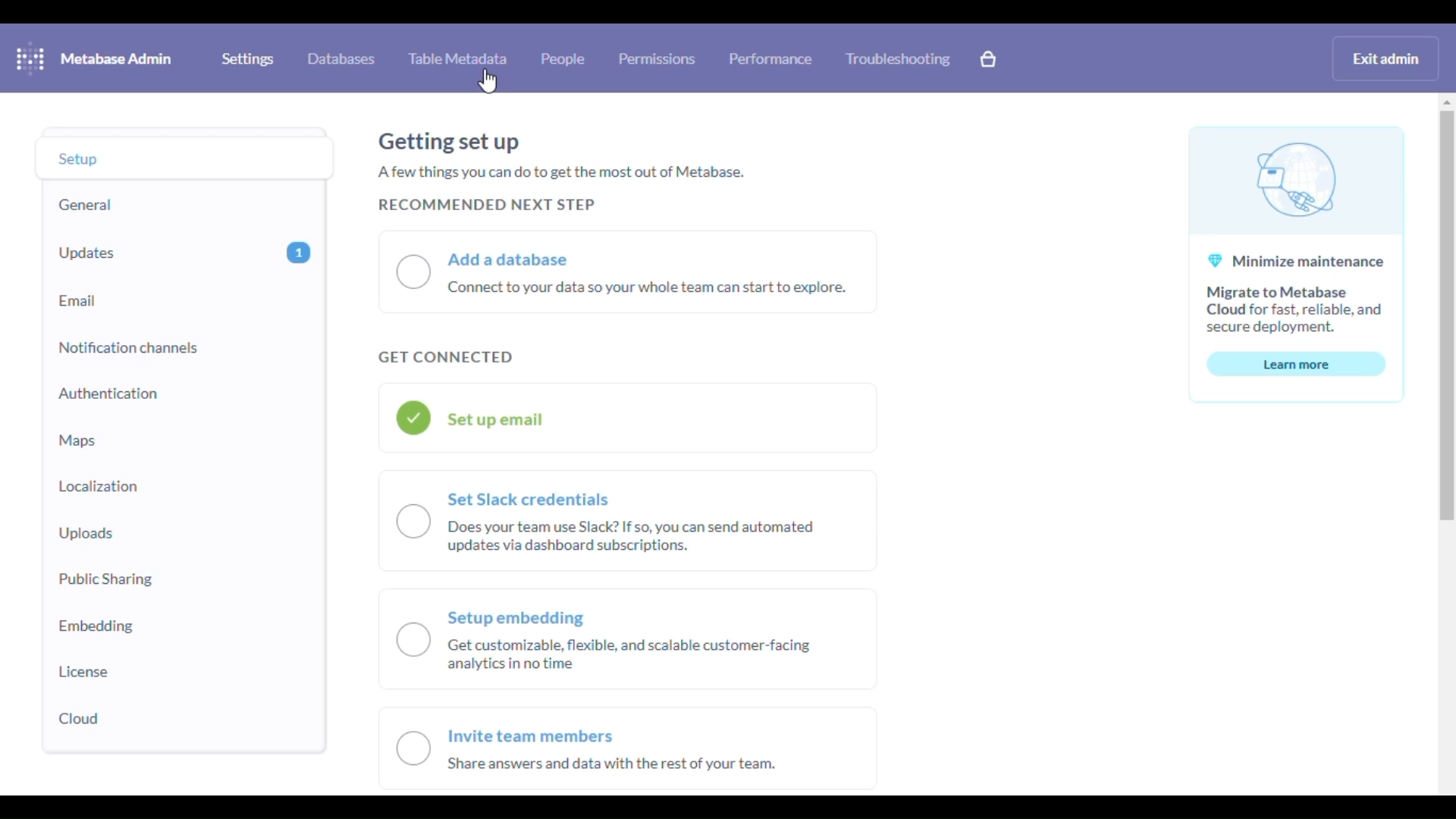 The width and height of the screenshot is (1456, 819). I want to click on public sharing, so click(105, 579).